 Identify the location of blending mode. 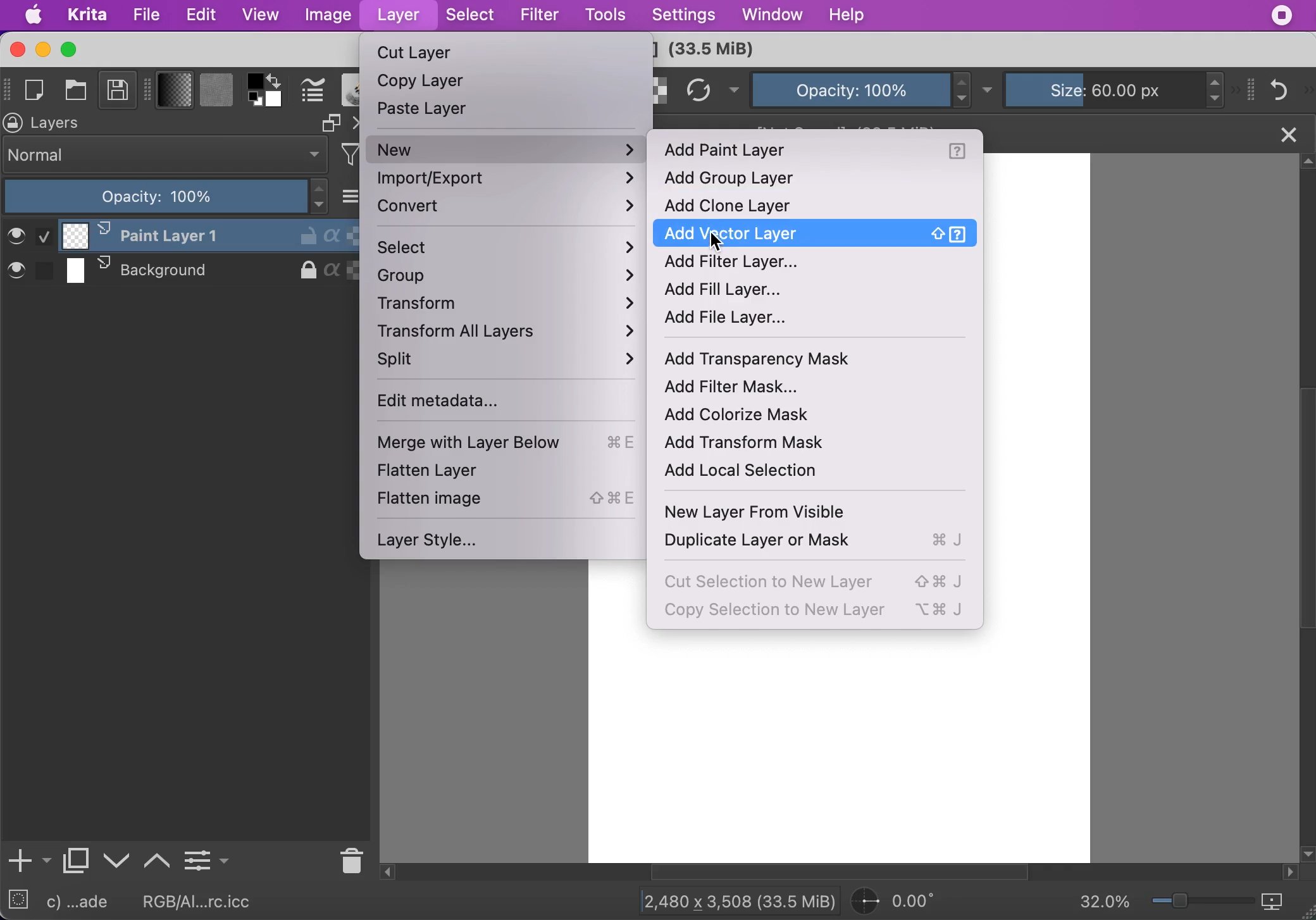
(166, 155).